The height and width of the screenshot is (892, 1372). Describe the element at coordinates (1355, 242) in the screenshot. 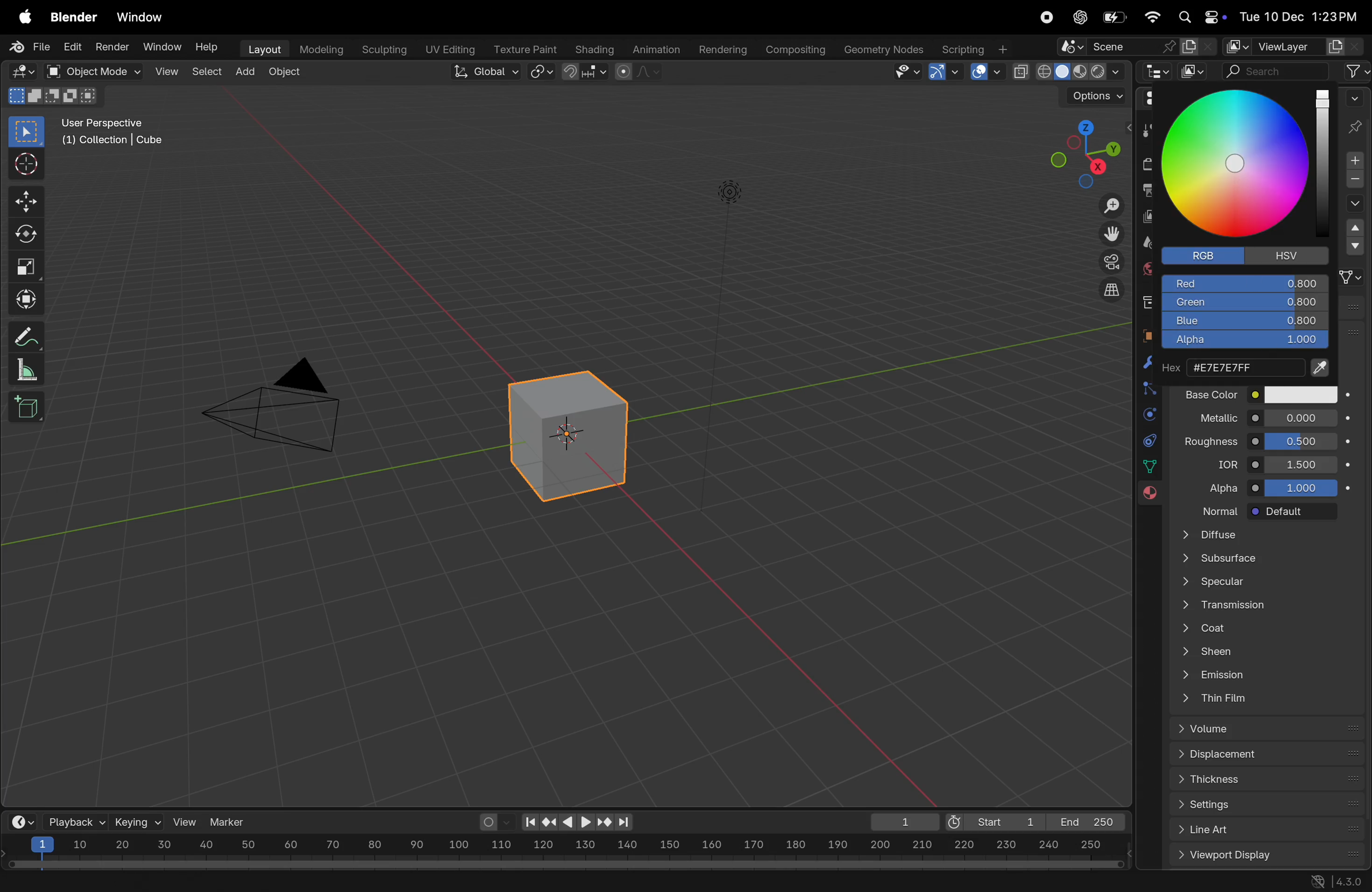

I see `drop down menu` at that location.